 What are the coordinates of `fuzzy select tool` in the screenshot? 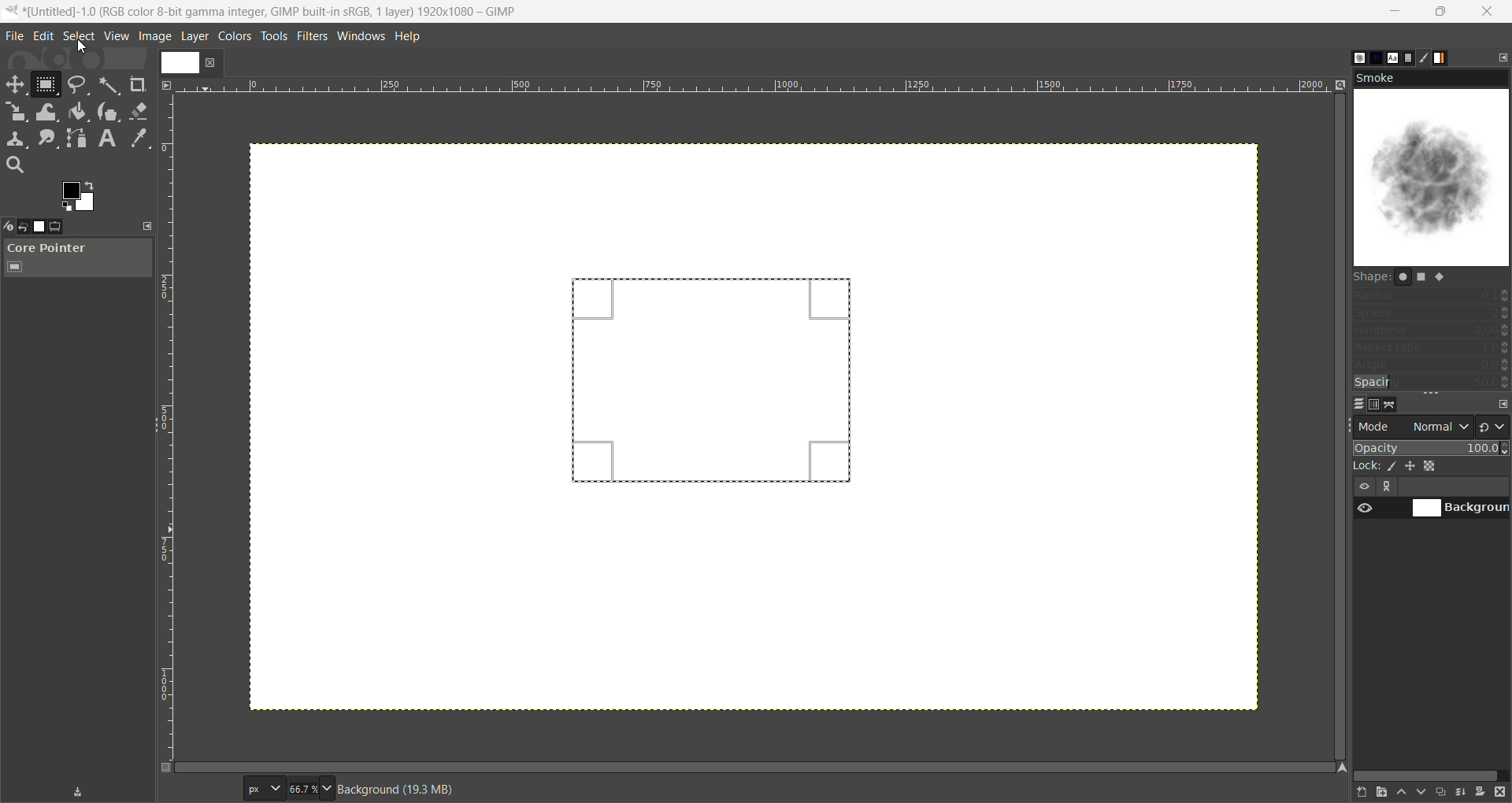 It's located at (110, 87).